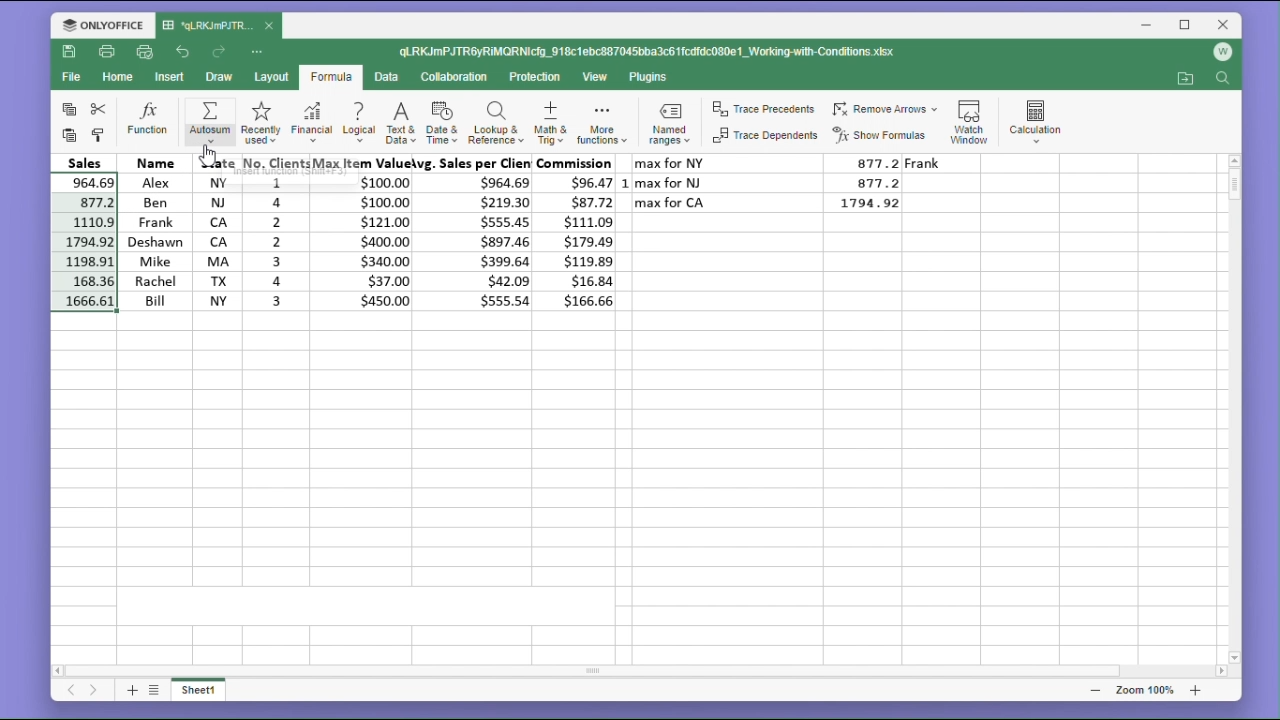 This screenshot has height=720, width=1280. What do you see at coordinates (102, 109) in the screenshot?
I see `cut` at bounding box center [102, 109].